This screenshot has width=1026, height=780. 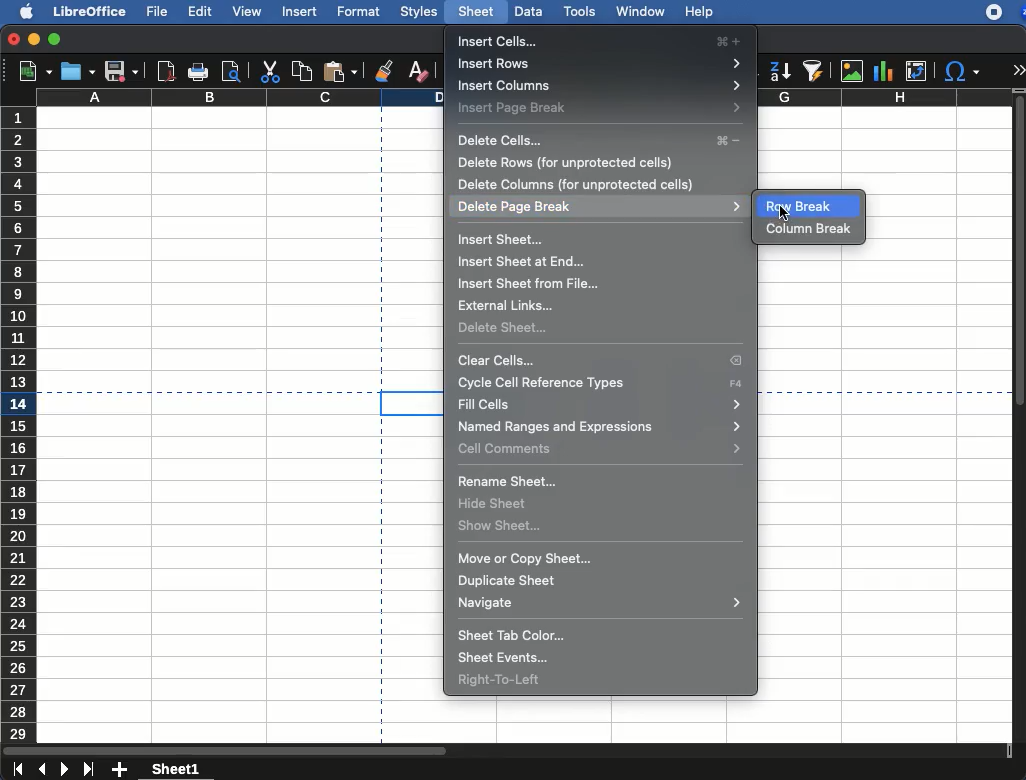 What do you see at coordinates (809, 230) in the screenshot?
I see `column break` at bounding box center [809, 230].